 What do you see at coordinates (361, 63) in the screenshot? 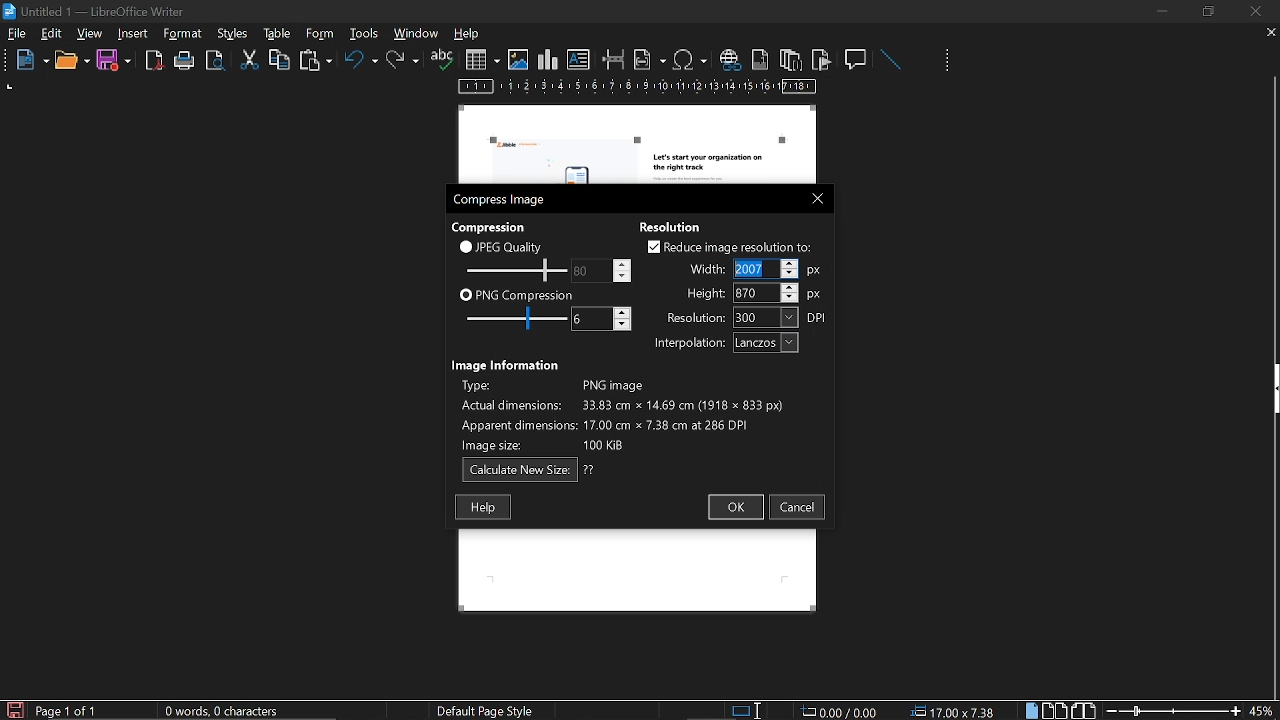
I see `undo` at bounding box center [361, 63].